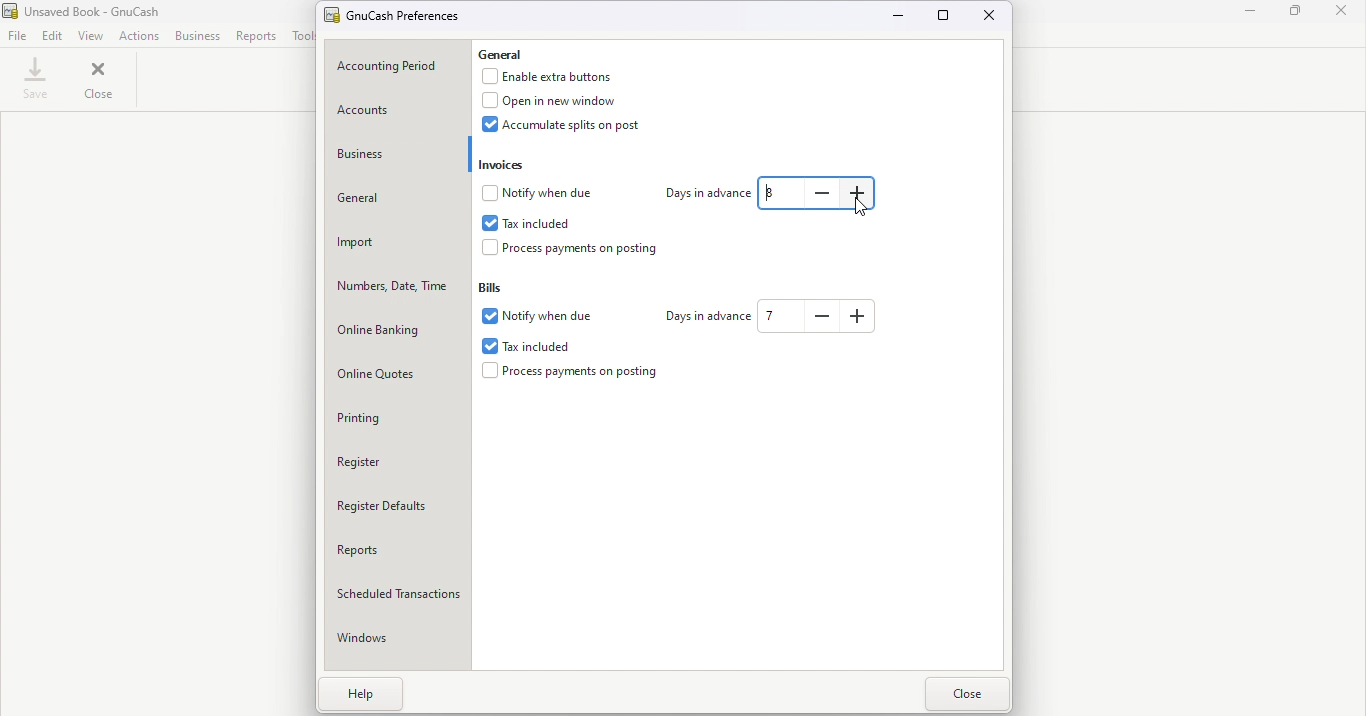  I want to click on Notify when due, so click(543, 316).